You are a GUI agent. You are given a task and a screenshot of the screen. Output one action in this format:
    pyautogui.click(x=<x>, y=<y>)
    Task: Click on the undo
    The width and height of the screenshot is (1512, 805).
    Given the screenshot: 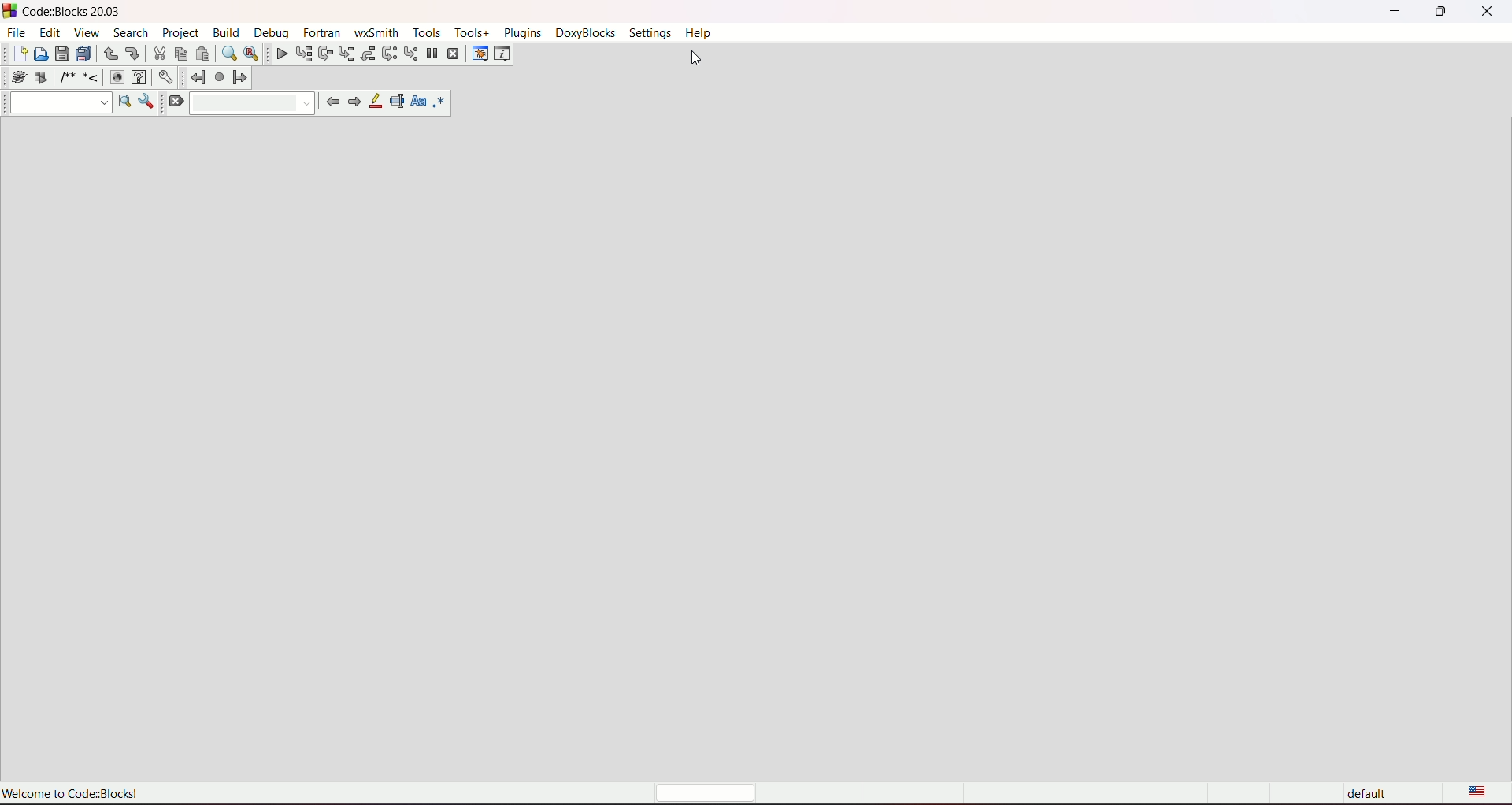 What is the action you would take?
    pyautogui.click(x=112, y=54)
    